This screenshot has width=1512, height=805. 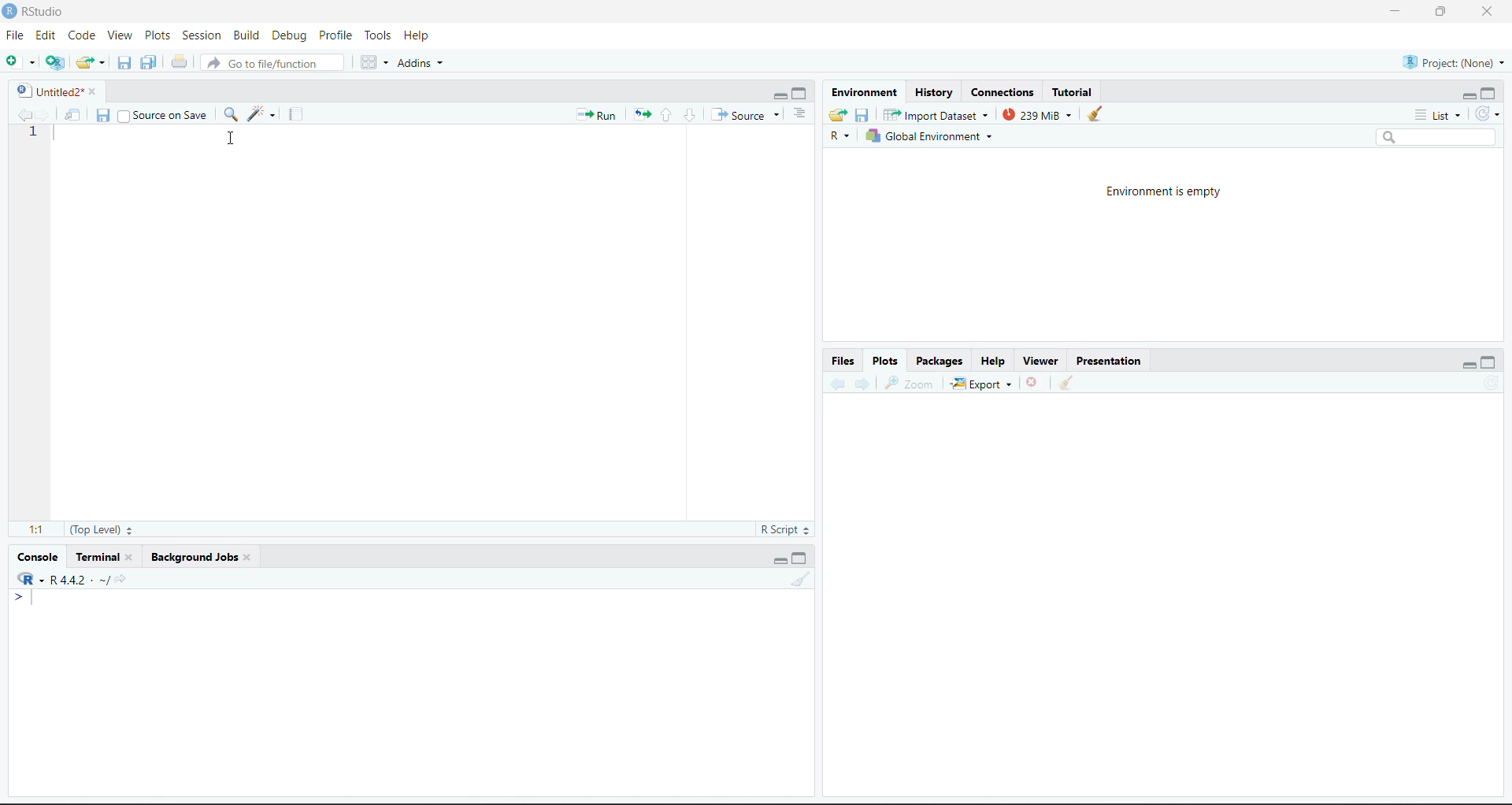 What do you see at coordinates (370, 61) in the screenshot?
I see `Workspace panes` at bounding box center [370, 61].